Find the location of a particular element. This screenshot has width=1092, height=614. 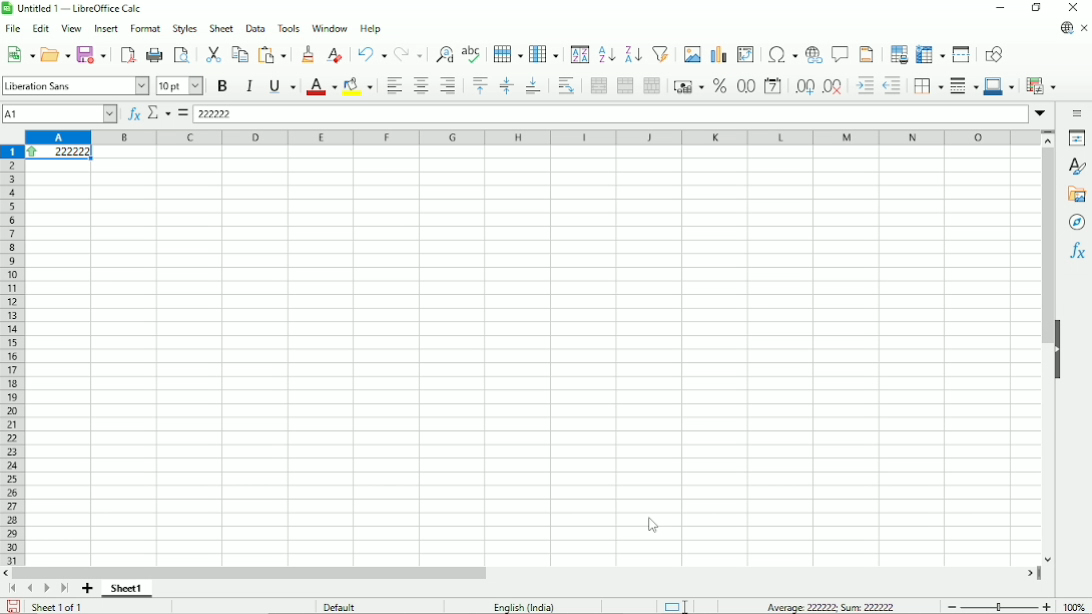

Close document is located at coordinates (1085, 29).